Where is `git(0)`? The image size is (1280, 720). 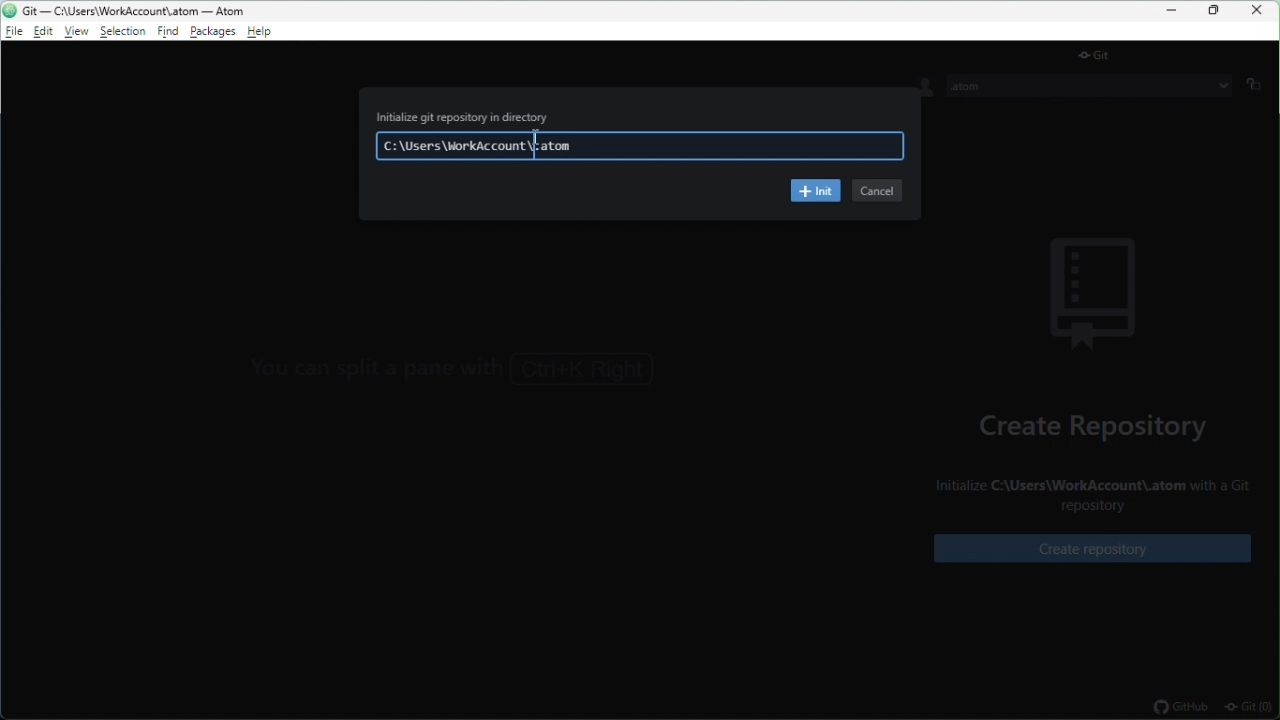 git(0) is located at coordinates (1249, 709).